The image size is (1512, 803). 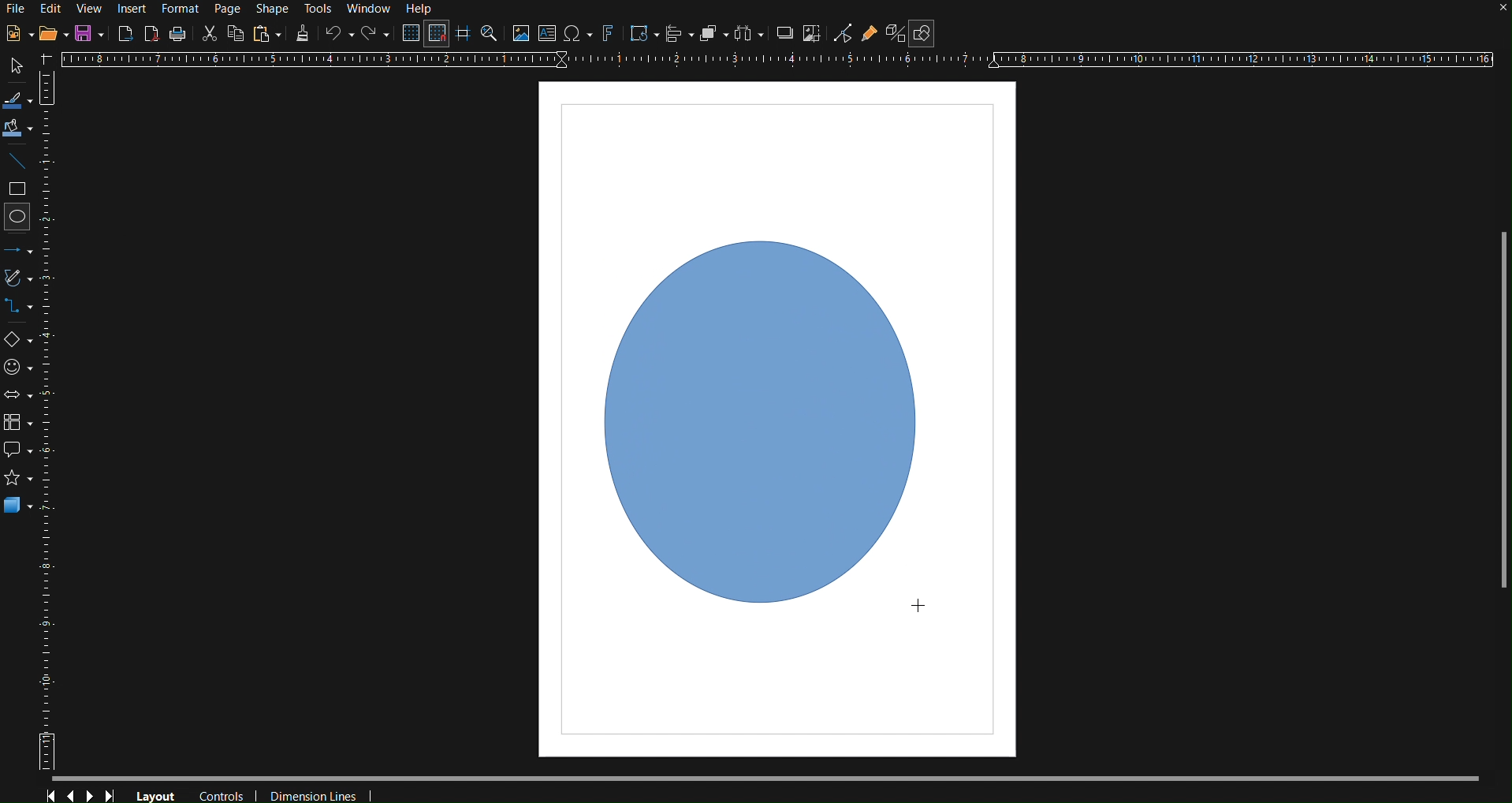 I want to click on Symbol Shapes, so click(x=22, y=367).